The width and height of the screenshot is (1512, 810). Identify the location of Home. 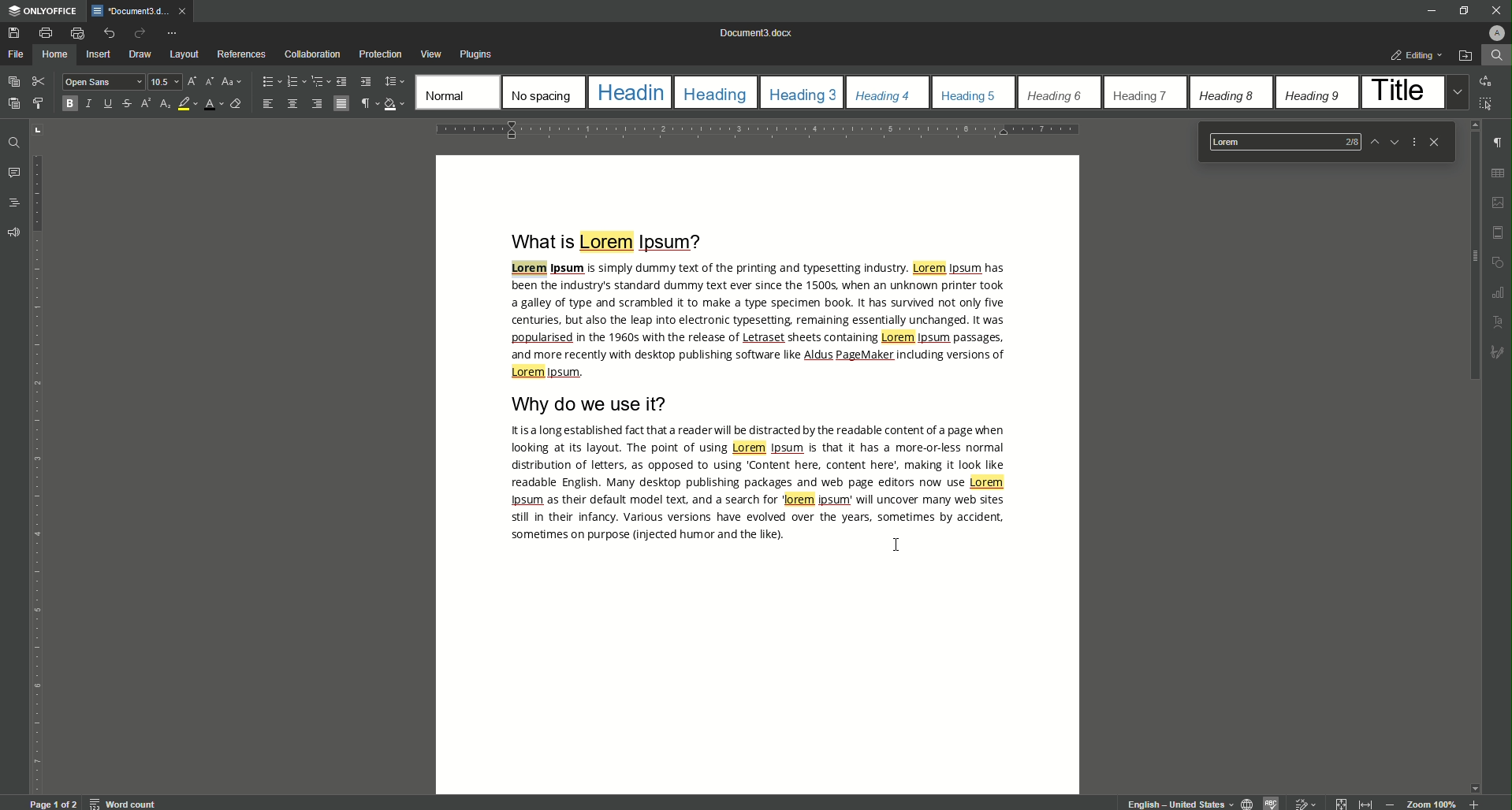
(57, 54).